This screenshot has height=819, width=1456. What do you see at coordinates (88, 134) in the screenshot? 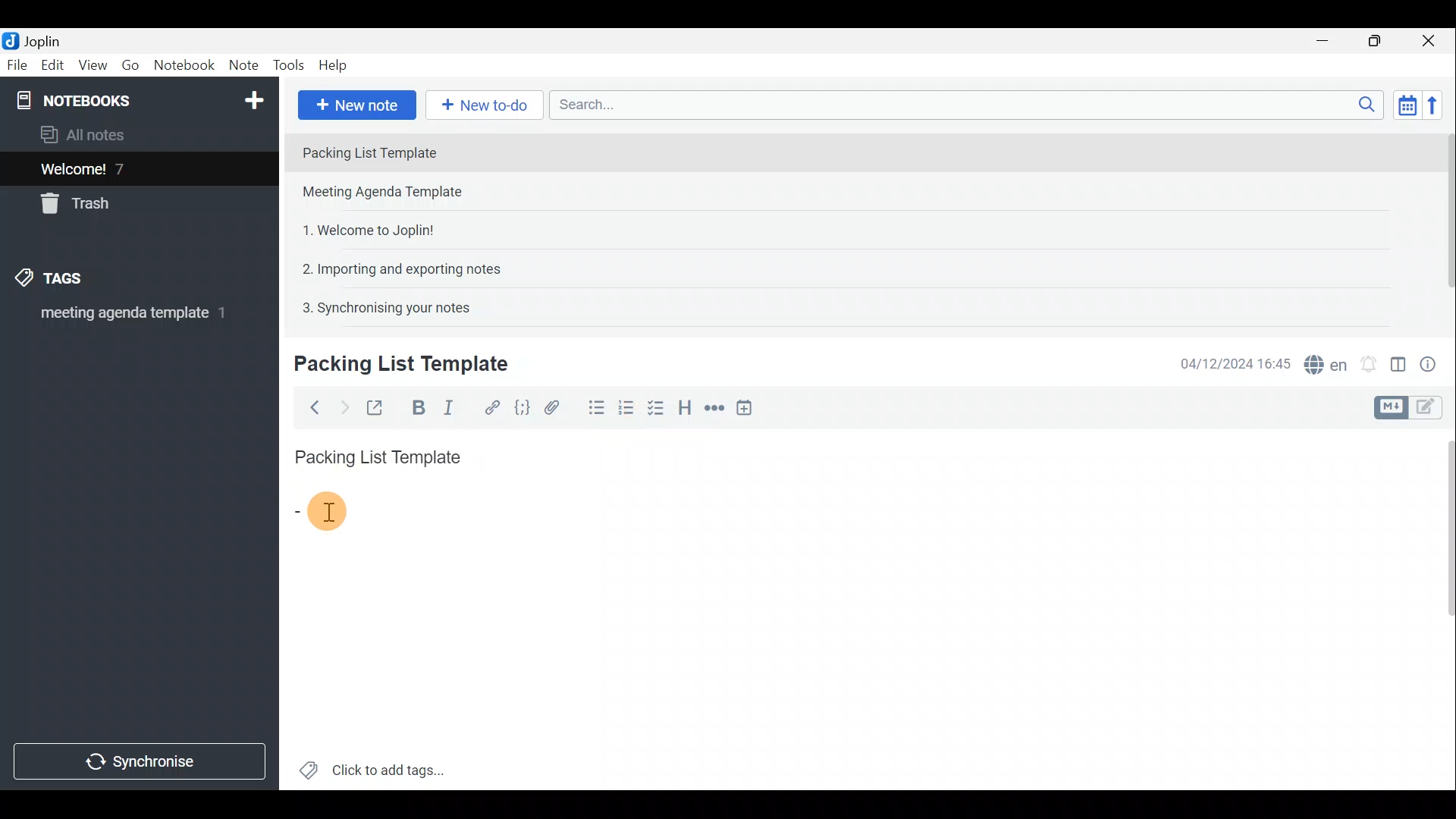
I see `All notes` at bounding box center [88, 134].